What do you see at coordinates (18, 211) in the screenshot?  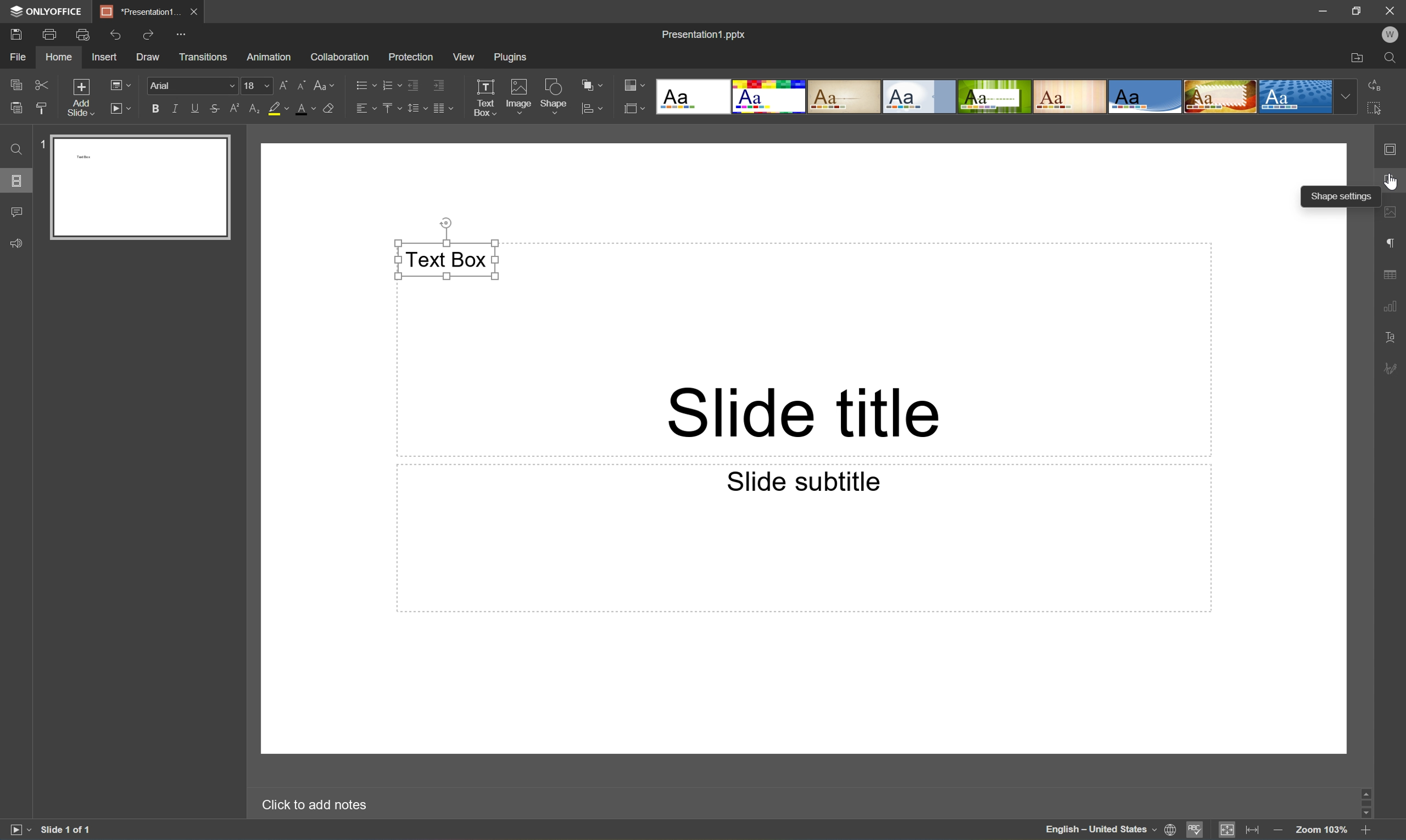 I see `Comments` at bounding box center [18, 211].